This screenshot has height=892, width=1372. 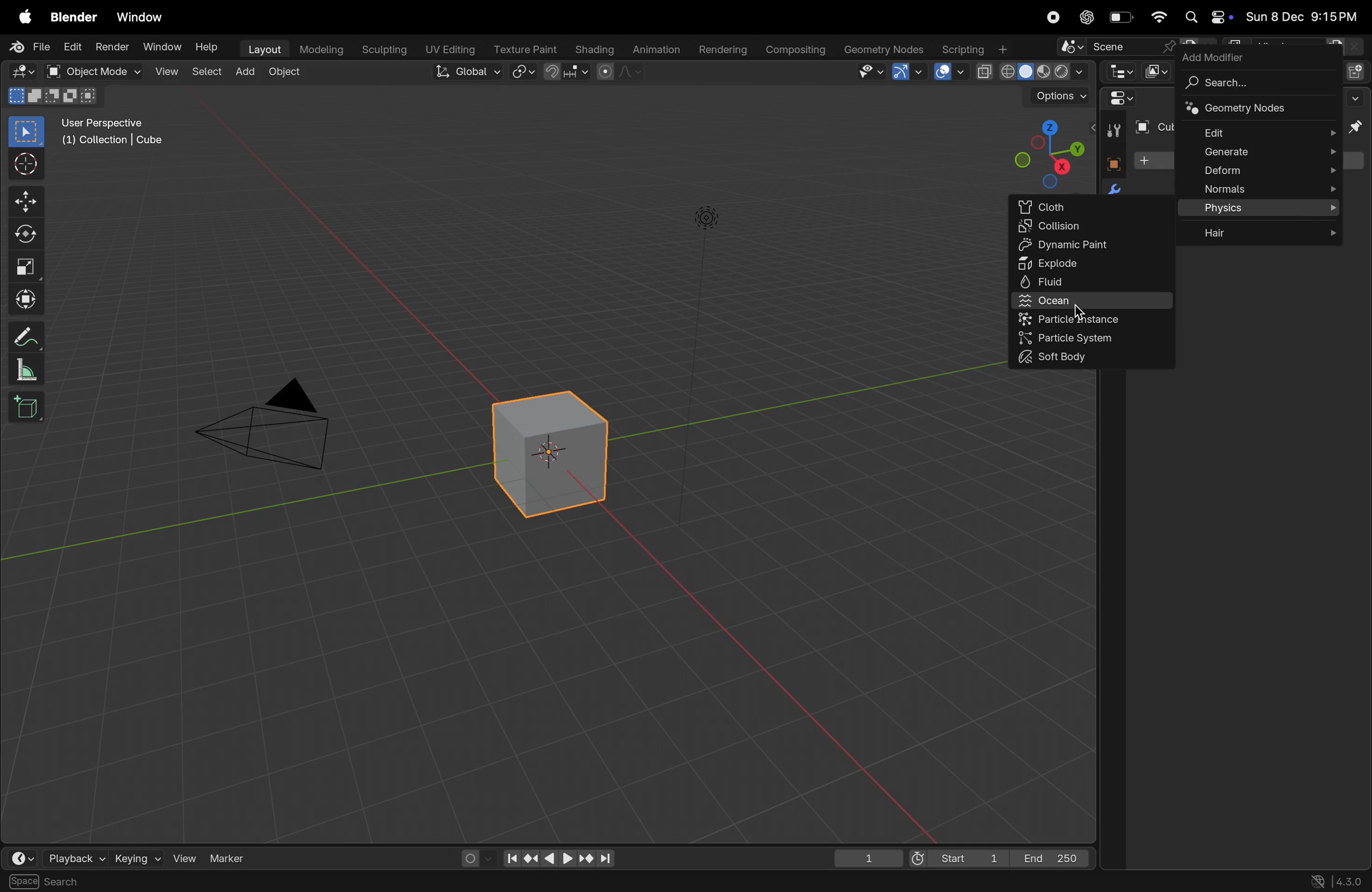 I want to click on wifi, so click(x=1159, y=17).